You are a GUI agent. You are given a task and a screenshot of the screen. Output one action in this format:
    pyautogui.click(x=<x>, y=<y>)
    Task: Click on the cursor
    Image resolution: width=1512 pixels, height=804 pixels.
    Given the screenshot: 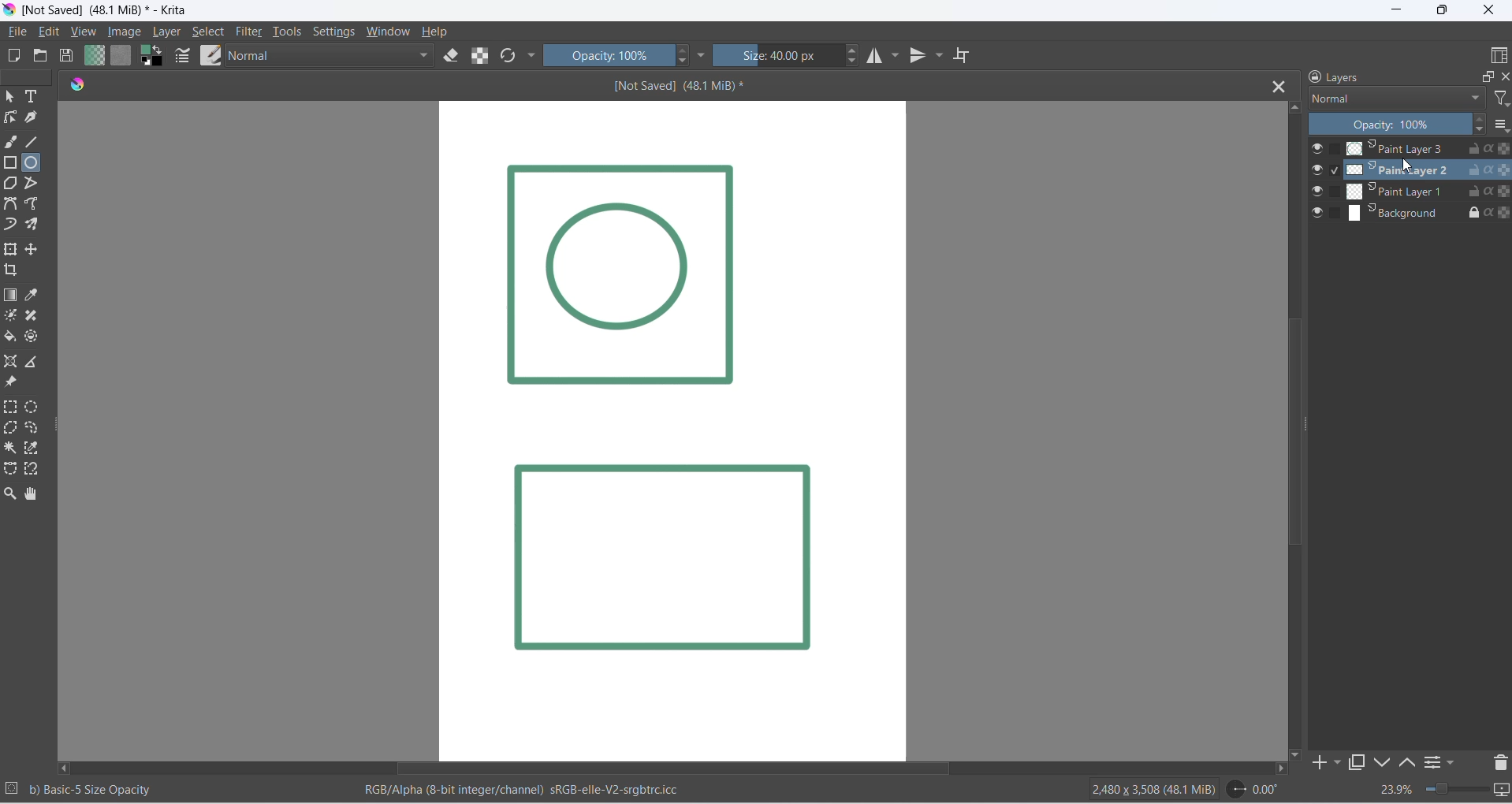 What is the action you would take?
    pyautogui.click(x=1406, y=169)
    